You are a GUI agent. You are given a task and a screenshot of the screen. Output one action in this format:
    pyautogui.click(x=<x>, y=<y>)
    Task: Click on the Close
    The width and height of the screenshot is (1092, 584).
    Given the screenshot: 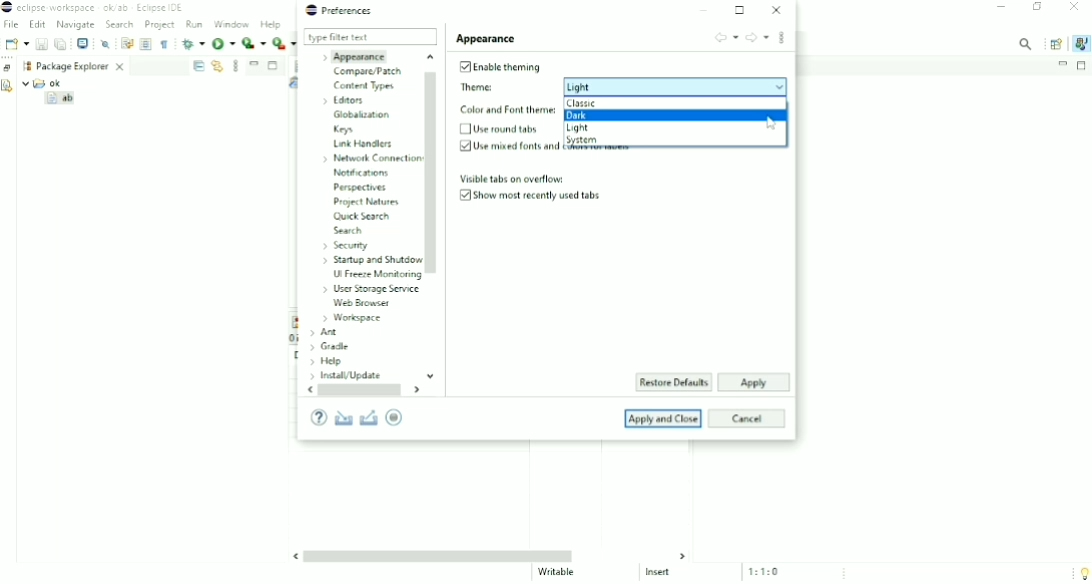 What is the action you would take?
    pyautogui.click(x=1074, y=8)
    